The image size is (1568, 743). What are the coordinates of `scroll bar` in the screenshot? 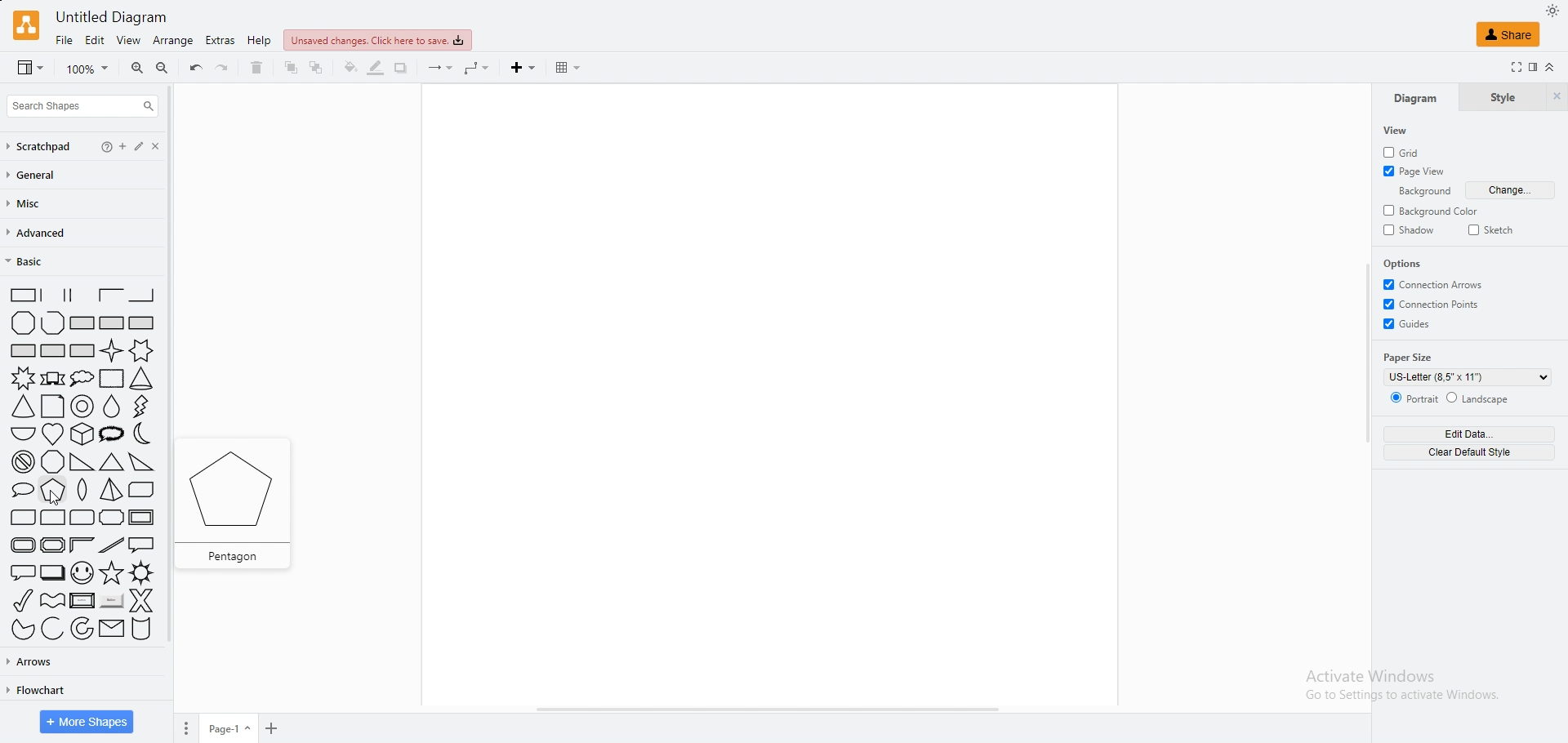 It's located at (175, 398).